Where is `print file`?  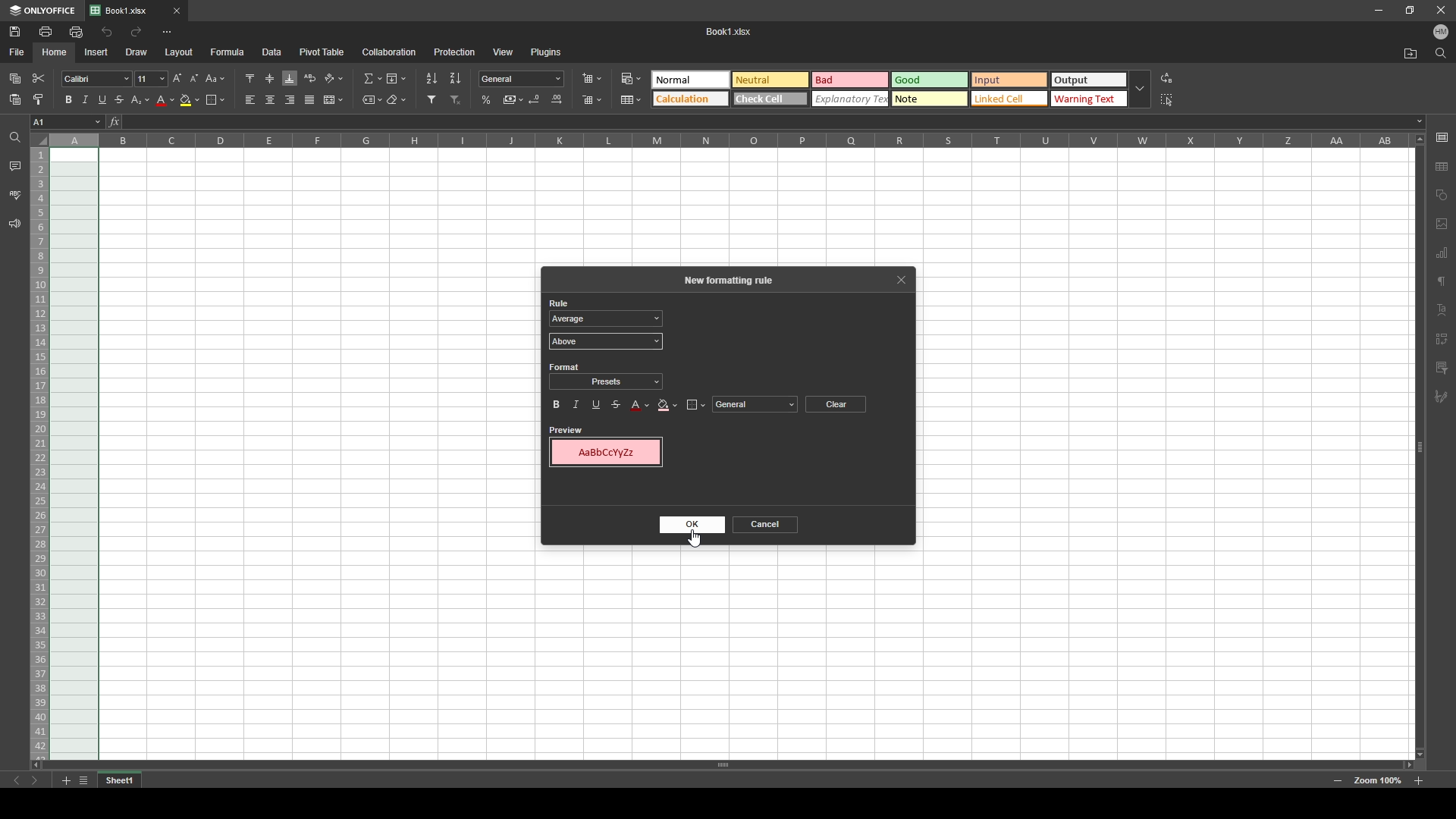 print file is located at coordinates (45, 31).